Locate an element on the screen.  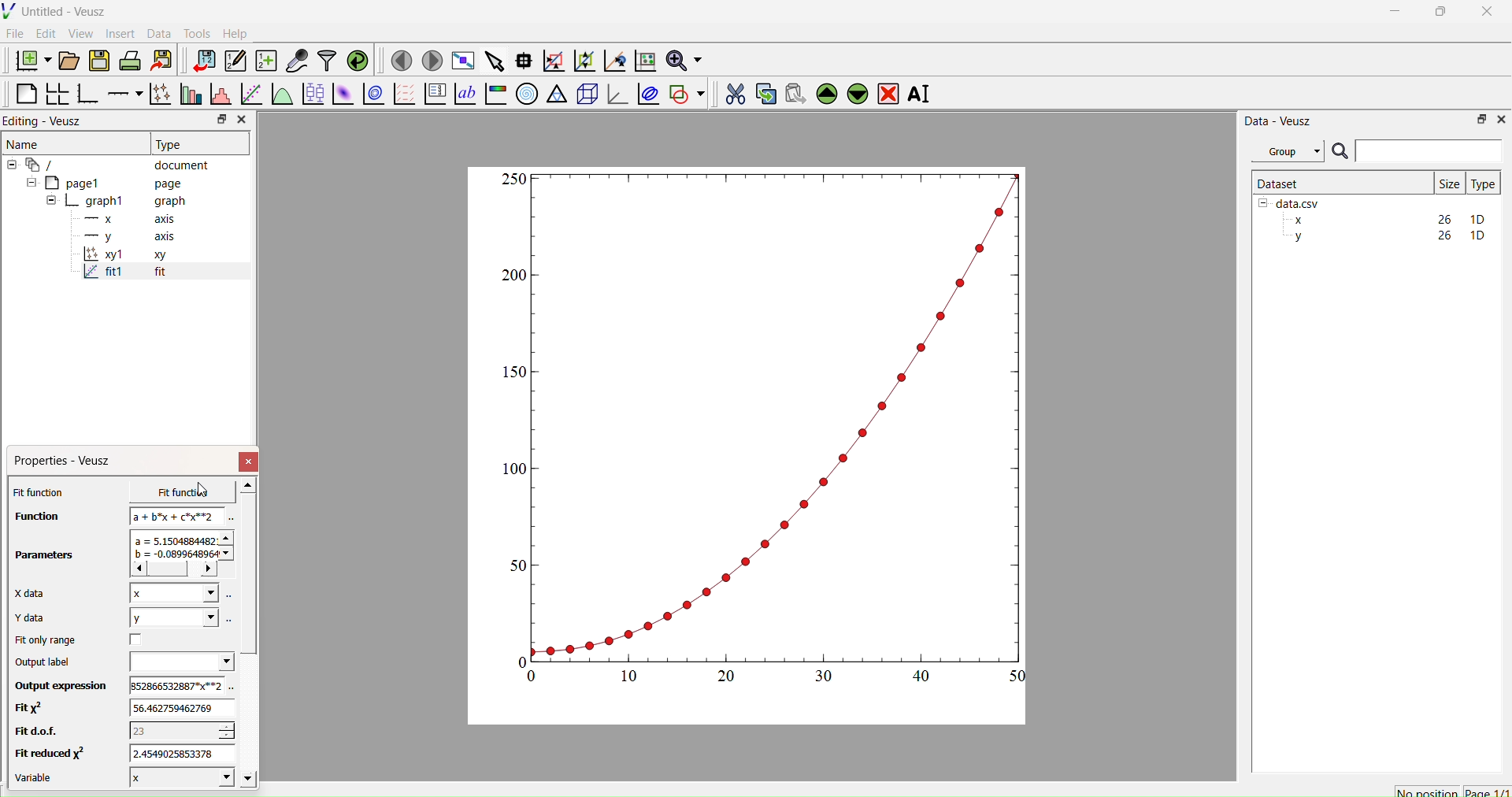
Histogram of a dataset is located at coordinates (217, 96).